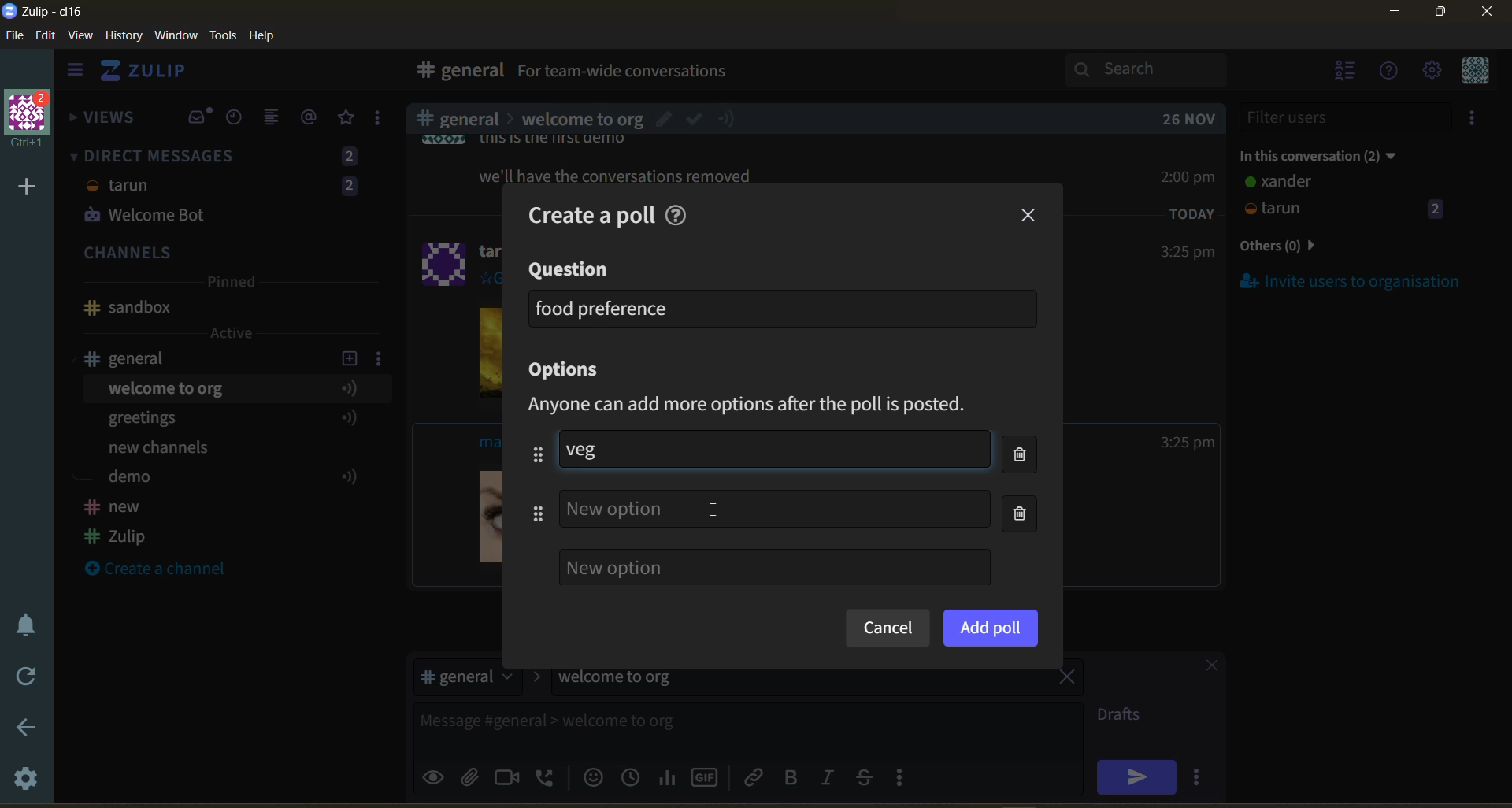  Describe the element at coordinates (81, 36) in the screenshot. I see `view` at that location.